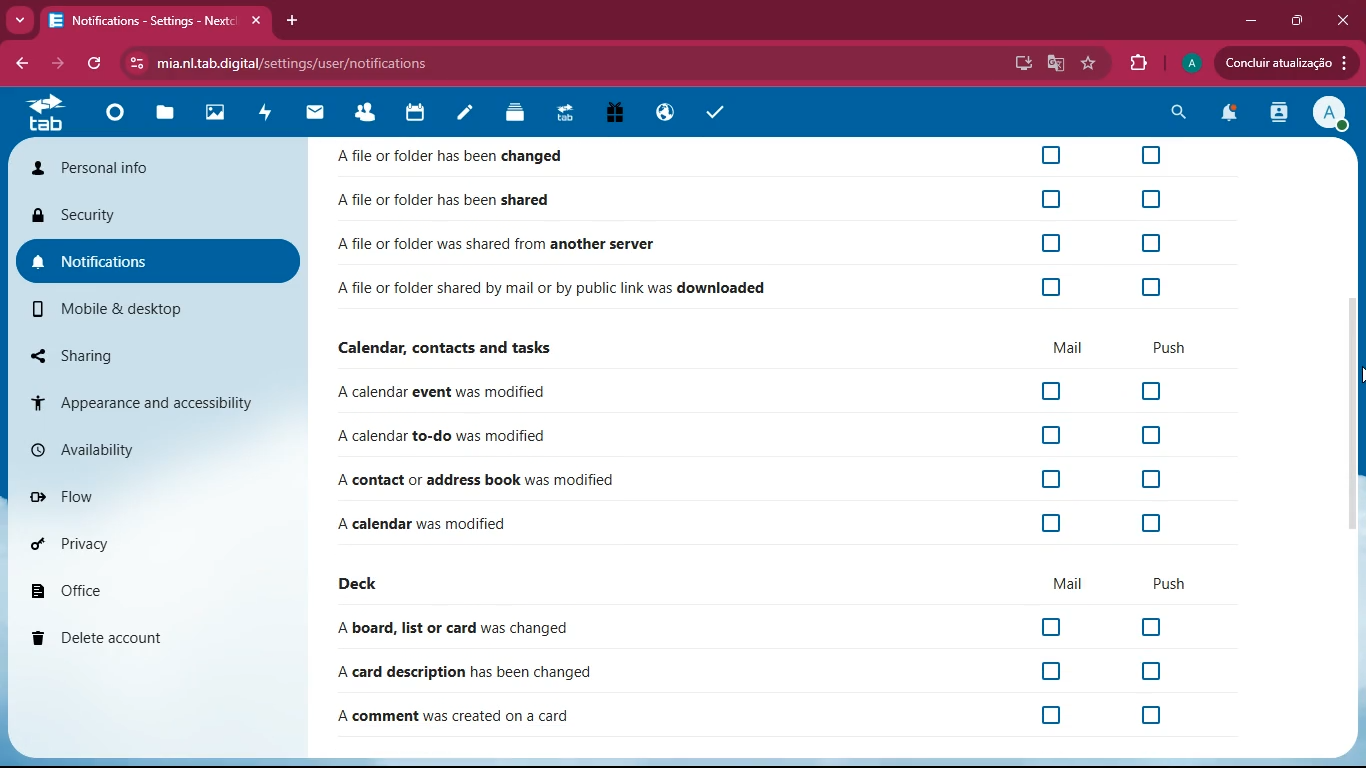  What do you see at coordinates (1153, 671) in the screenshot?
I see `off` at bounding box center [1153, 671].